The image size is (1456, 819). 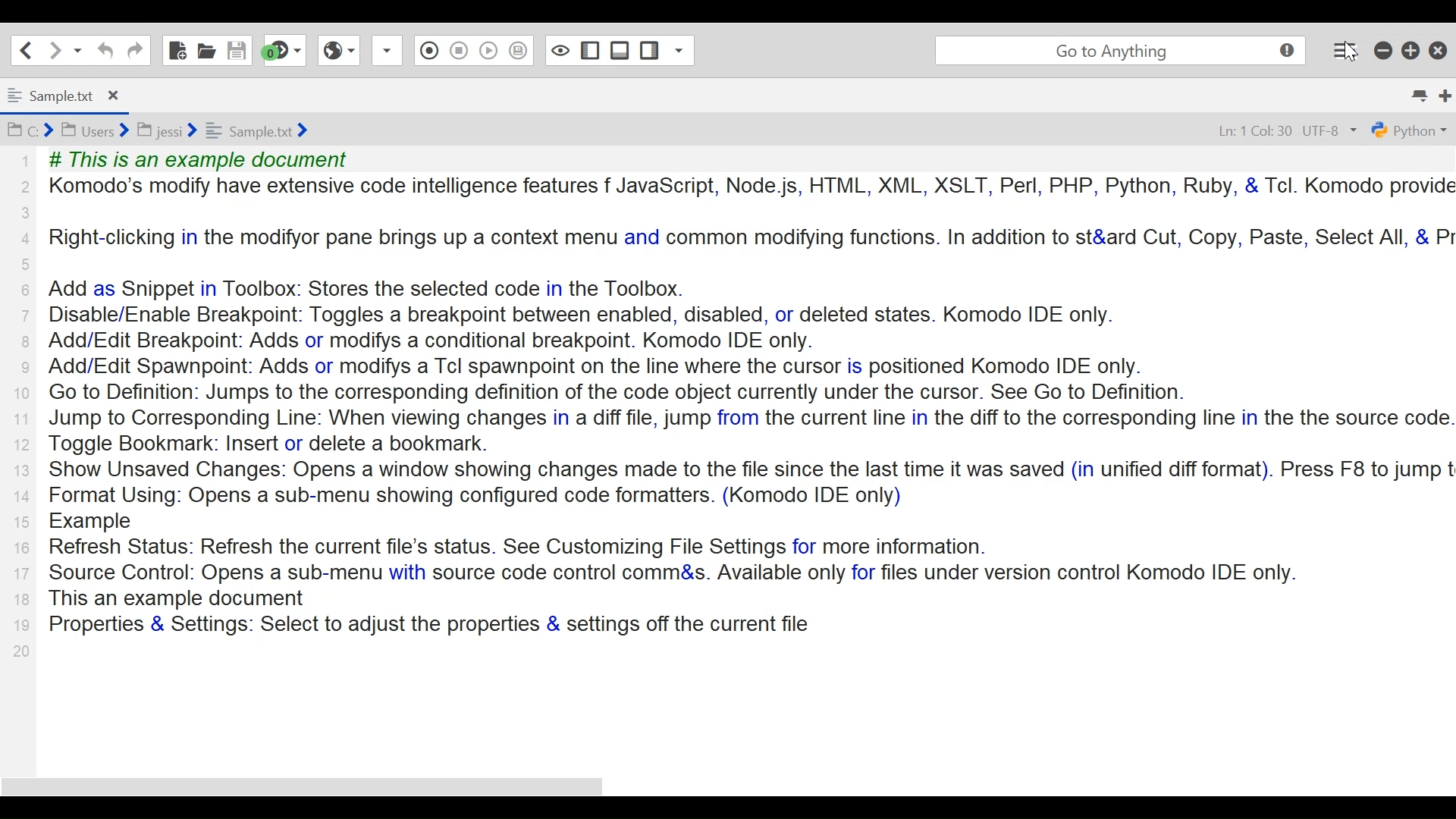 What do you see at coordinates (72, 95) in the screenshot?
I see `Sample.txt` at bounding box center [72, 95].